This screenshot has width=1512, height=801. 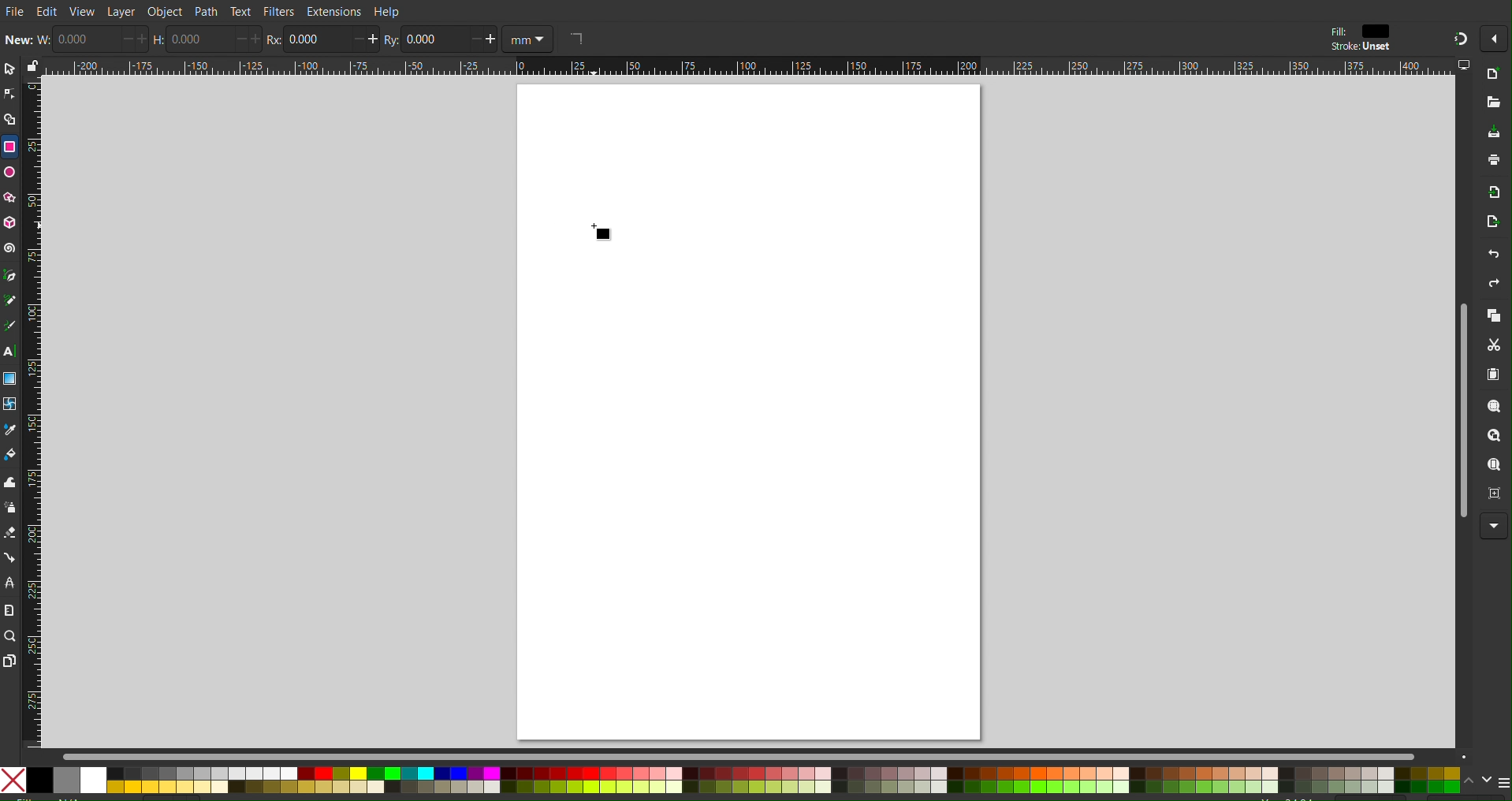 I want to click on Polygon, so click(x=9, y=196).